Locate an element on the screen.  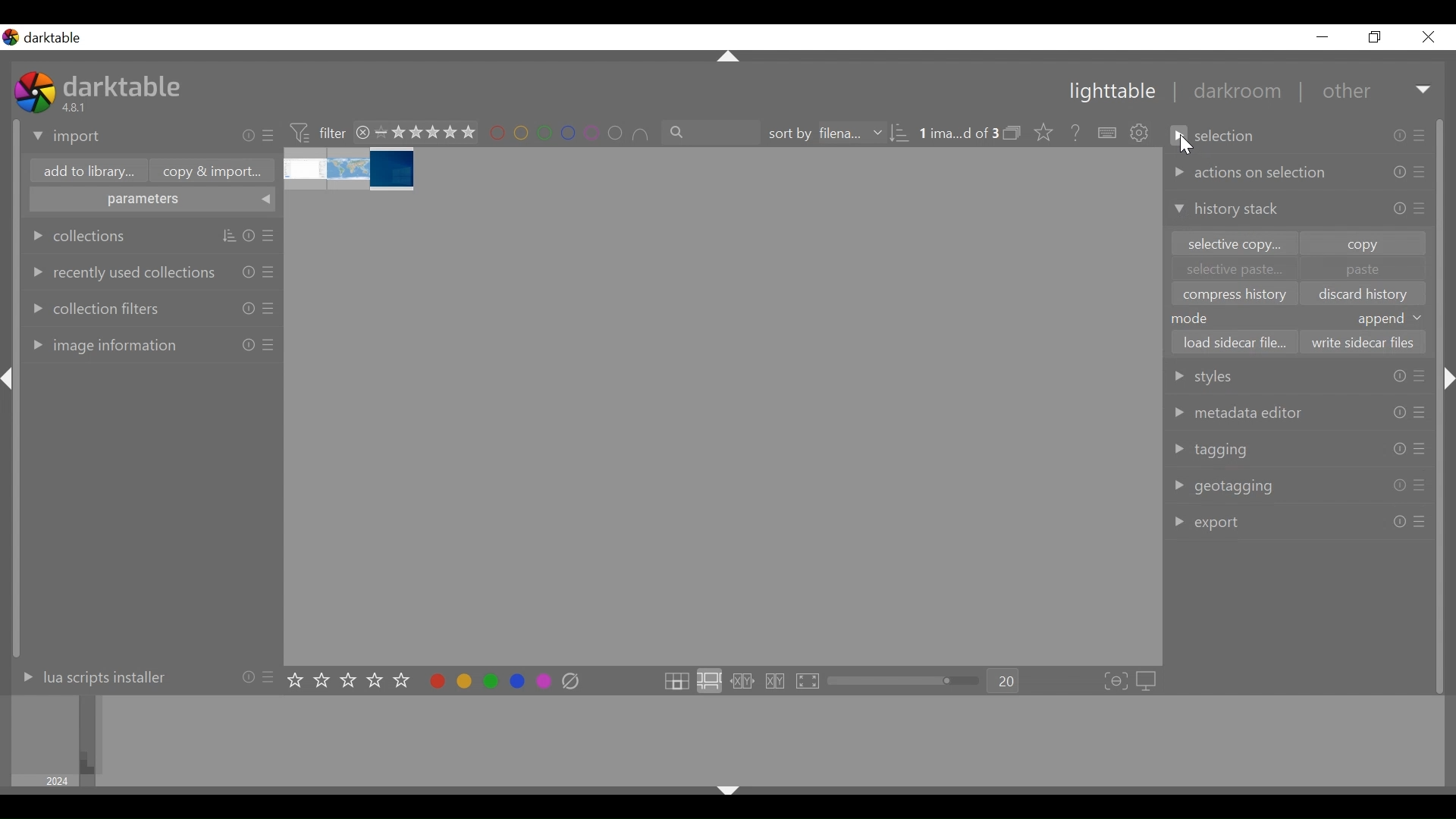
info is located at coordinates (249, 237).